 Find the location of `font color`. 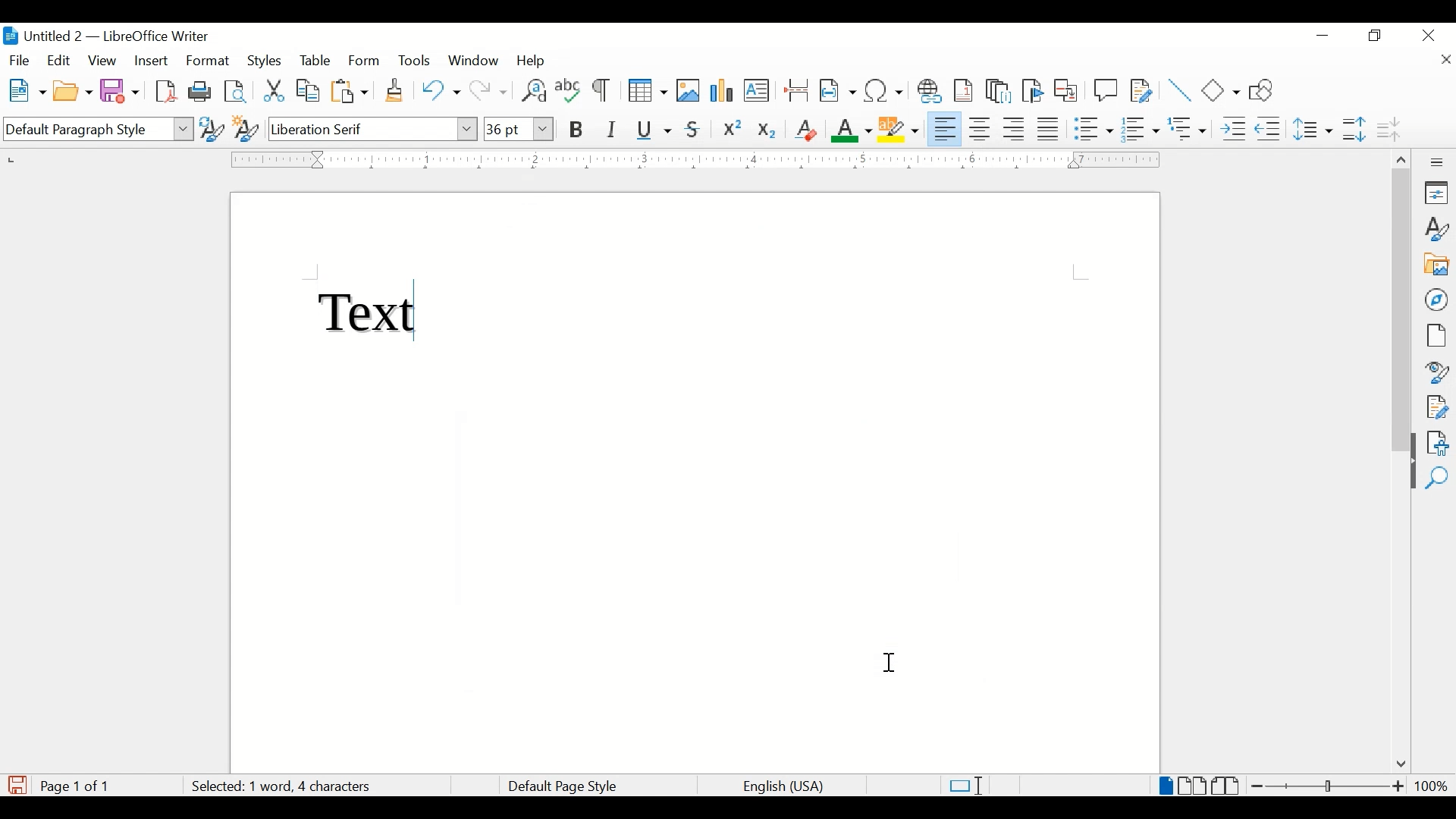

font color is located at coordinates (852, 130).